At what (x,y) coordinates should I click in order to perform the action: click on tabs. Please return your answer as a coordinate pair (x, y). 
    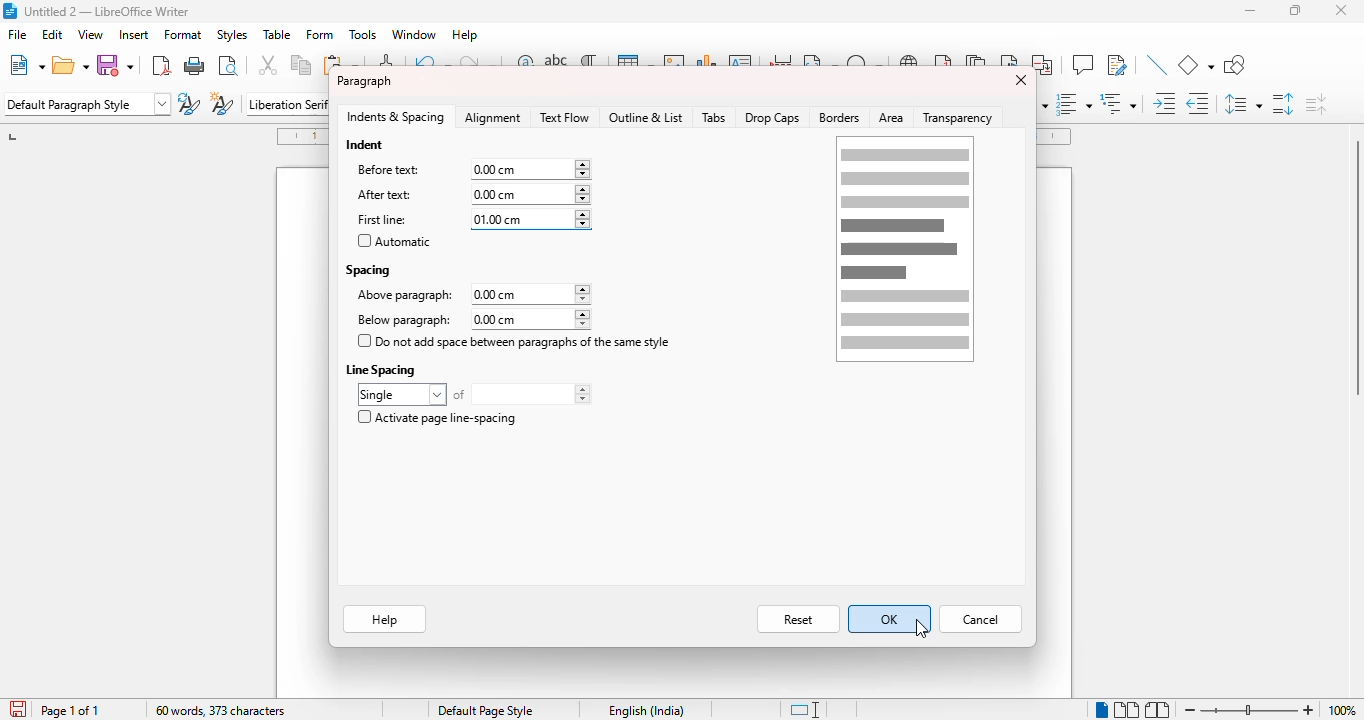
    Looking at the image, I should click on (714, 118).